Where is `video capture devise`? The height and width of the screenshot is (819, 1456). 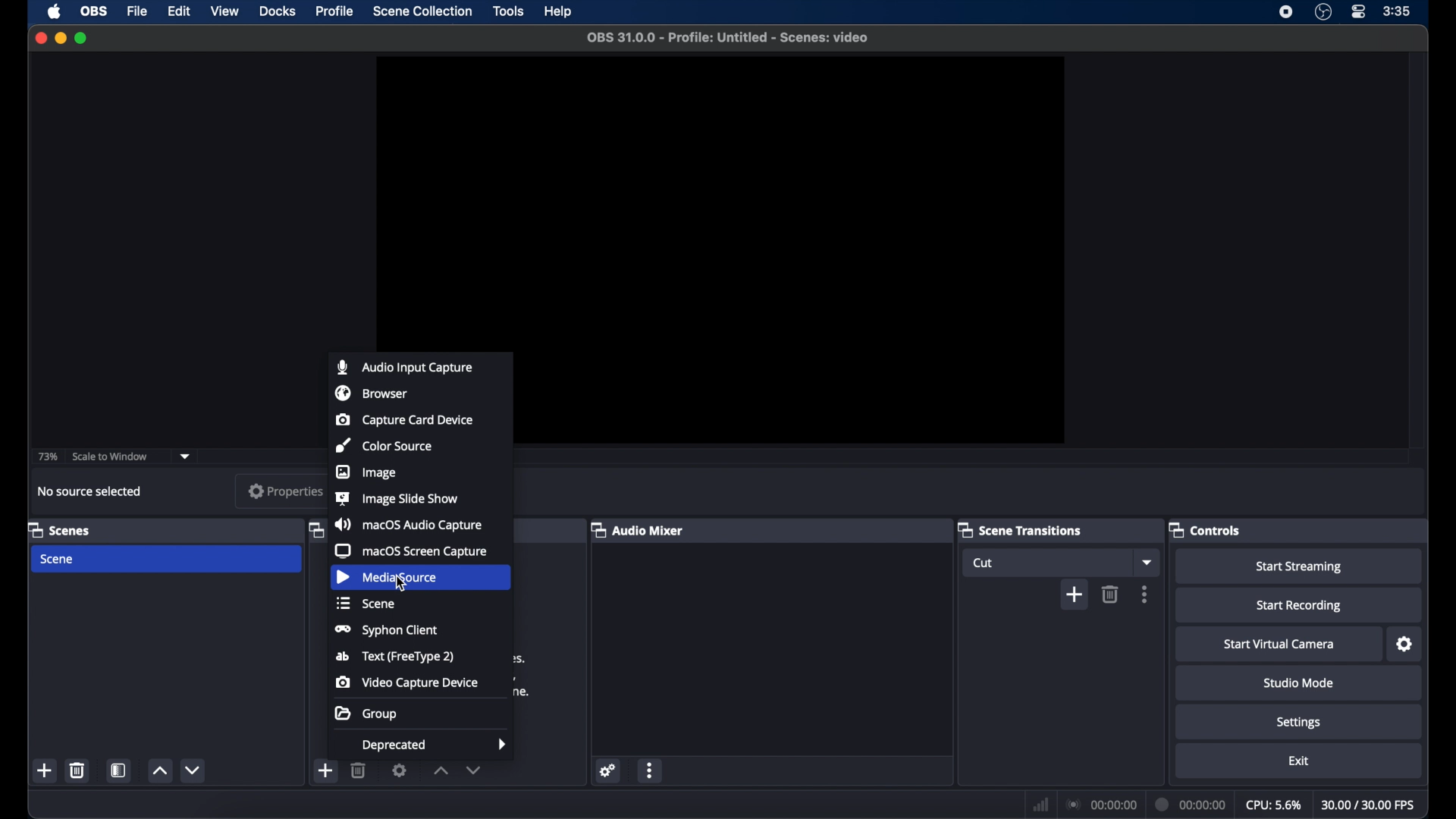
video capture devise is located at coordinates (406, 682).